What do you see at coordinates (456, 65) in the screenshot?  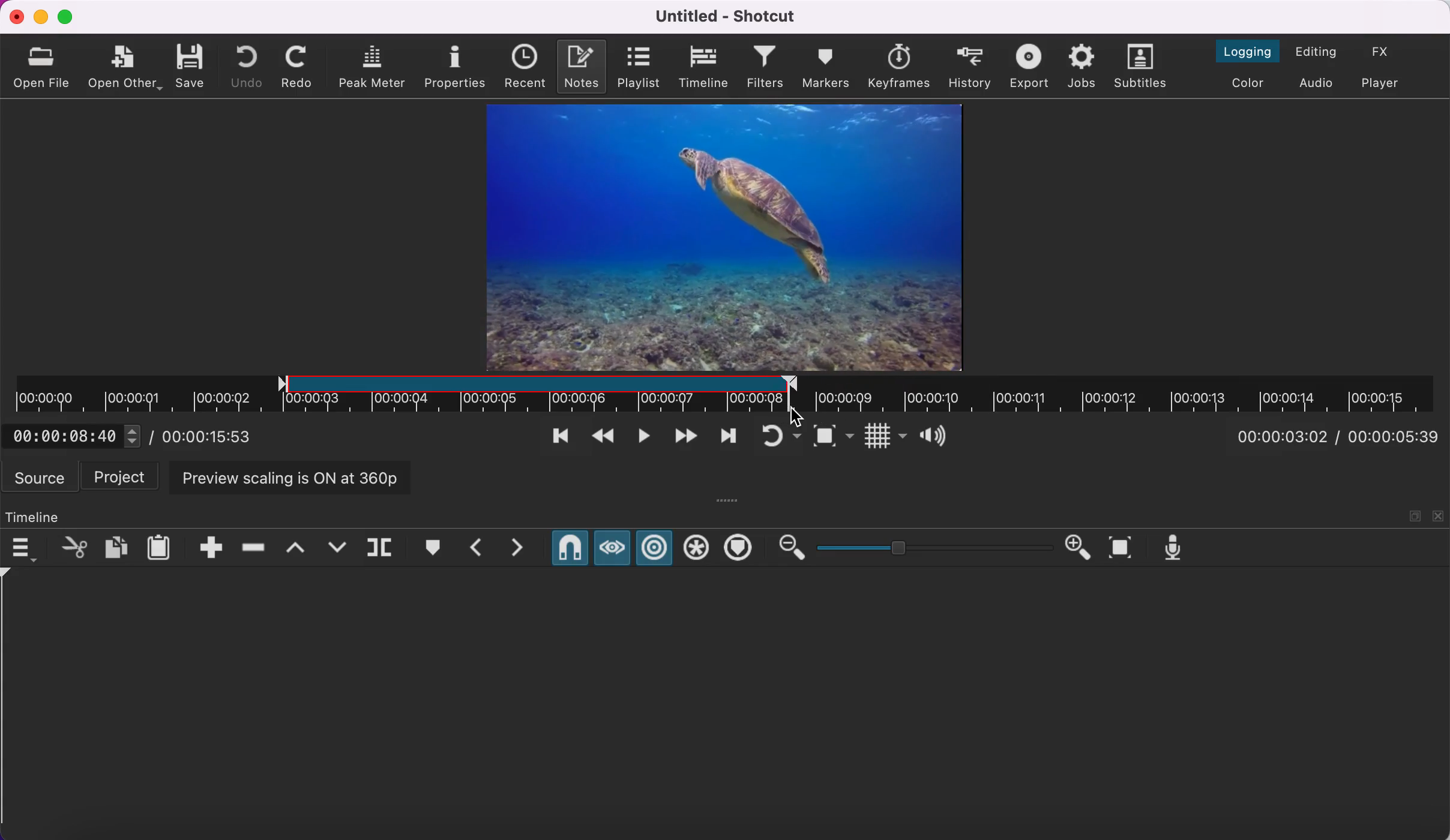 I see `properties` at bounding box center [456, 65].